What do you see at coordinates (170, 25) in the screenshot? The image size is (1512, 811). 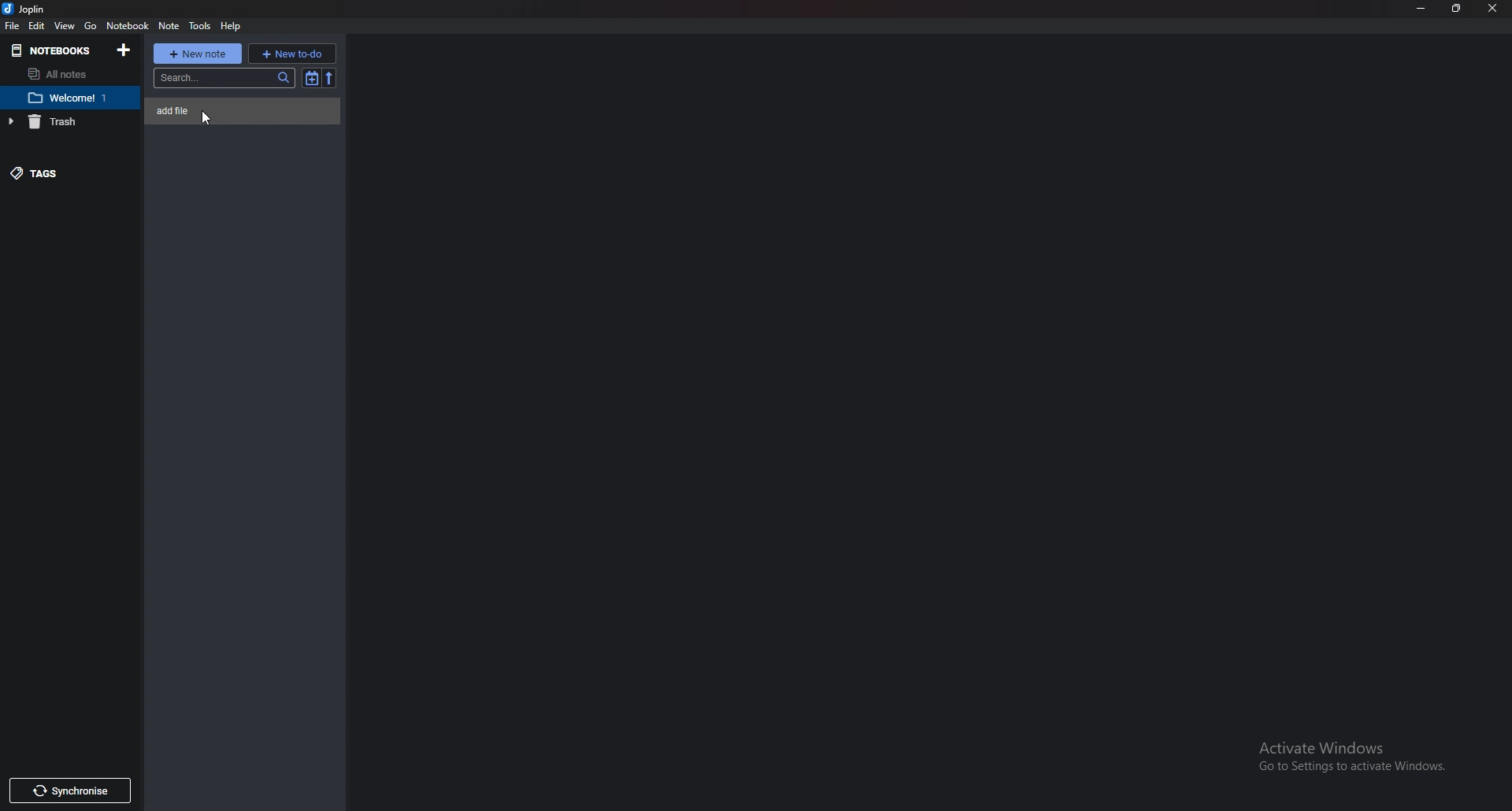 I see `note` at bounding box center [170, 25].